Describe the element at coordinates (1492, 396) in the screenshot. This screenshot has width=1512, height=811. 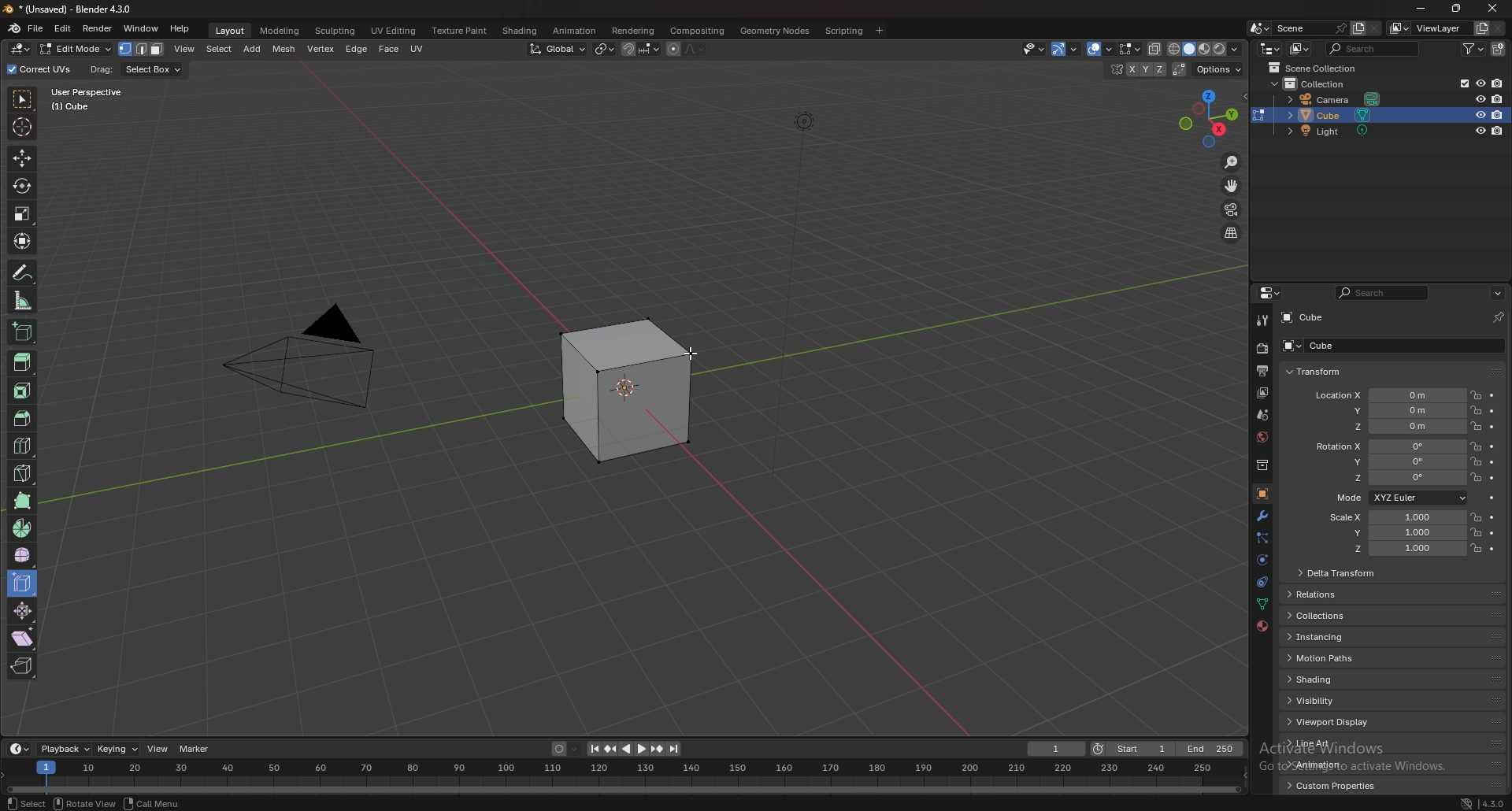
I see `animate property` at that location.